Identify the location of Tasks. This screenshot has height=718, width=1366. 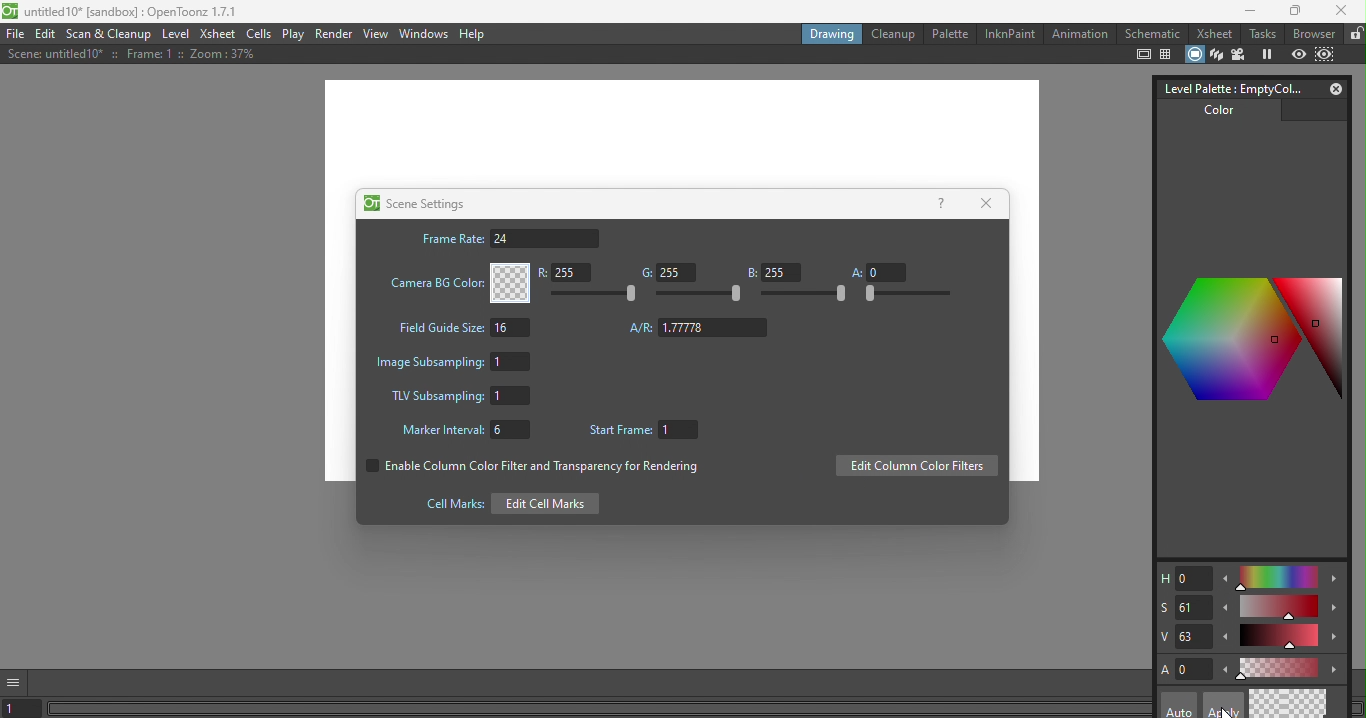
(1262, 34).